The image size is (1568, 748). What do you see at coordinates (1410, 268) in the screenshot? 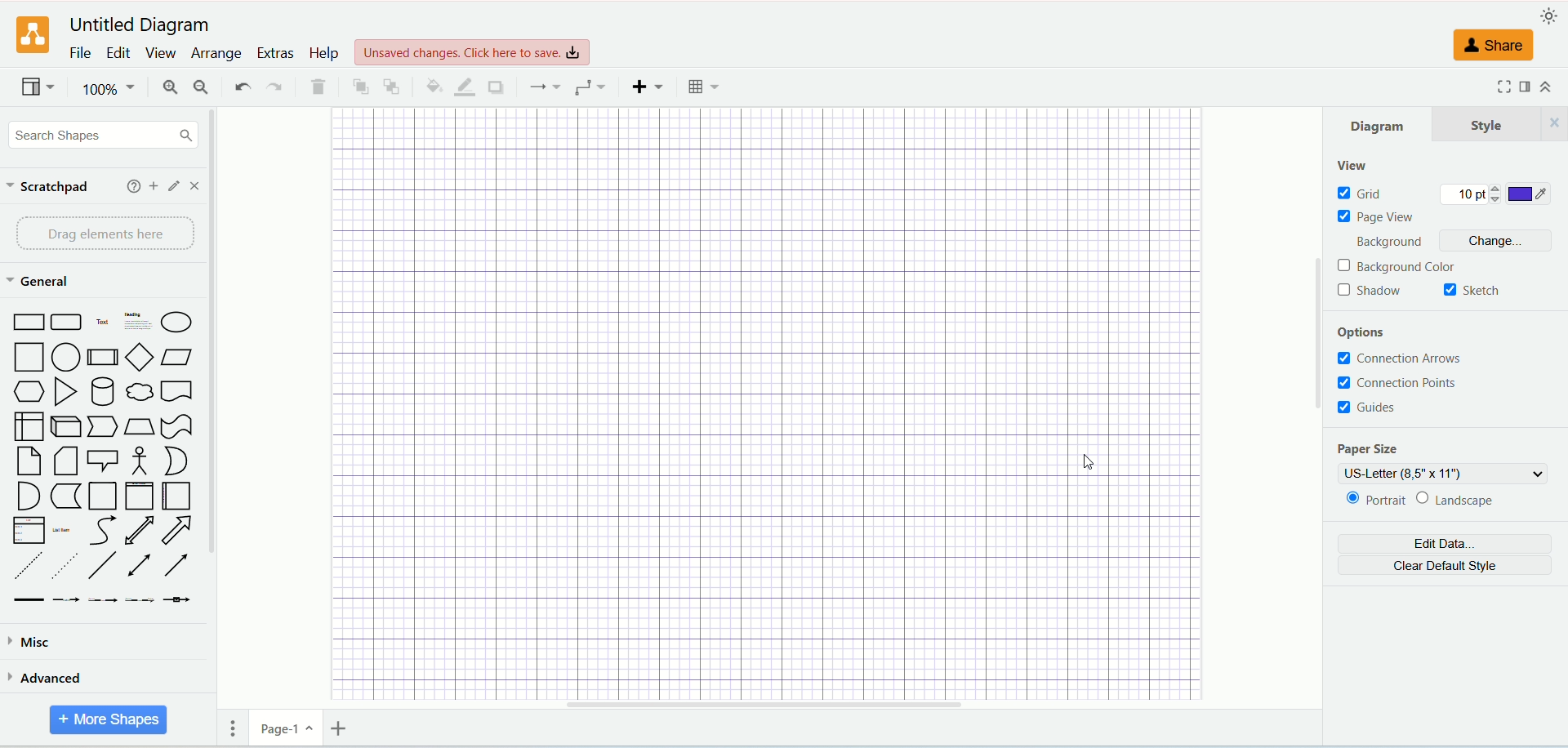
I see `background color` at bounding box center [1410, 268].